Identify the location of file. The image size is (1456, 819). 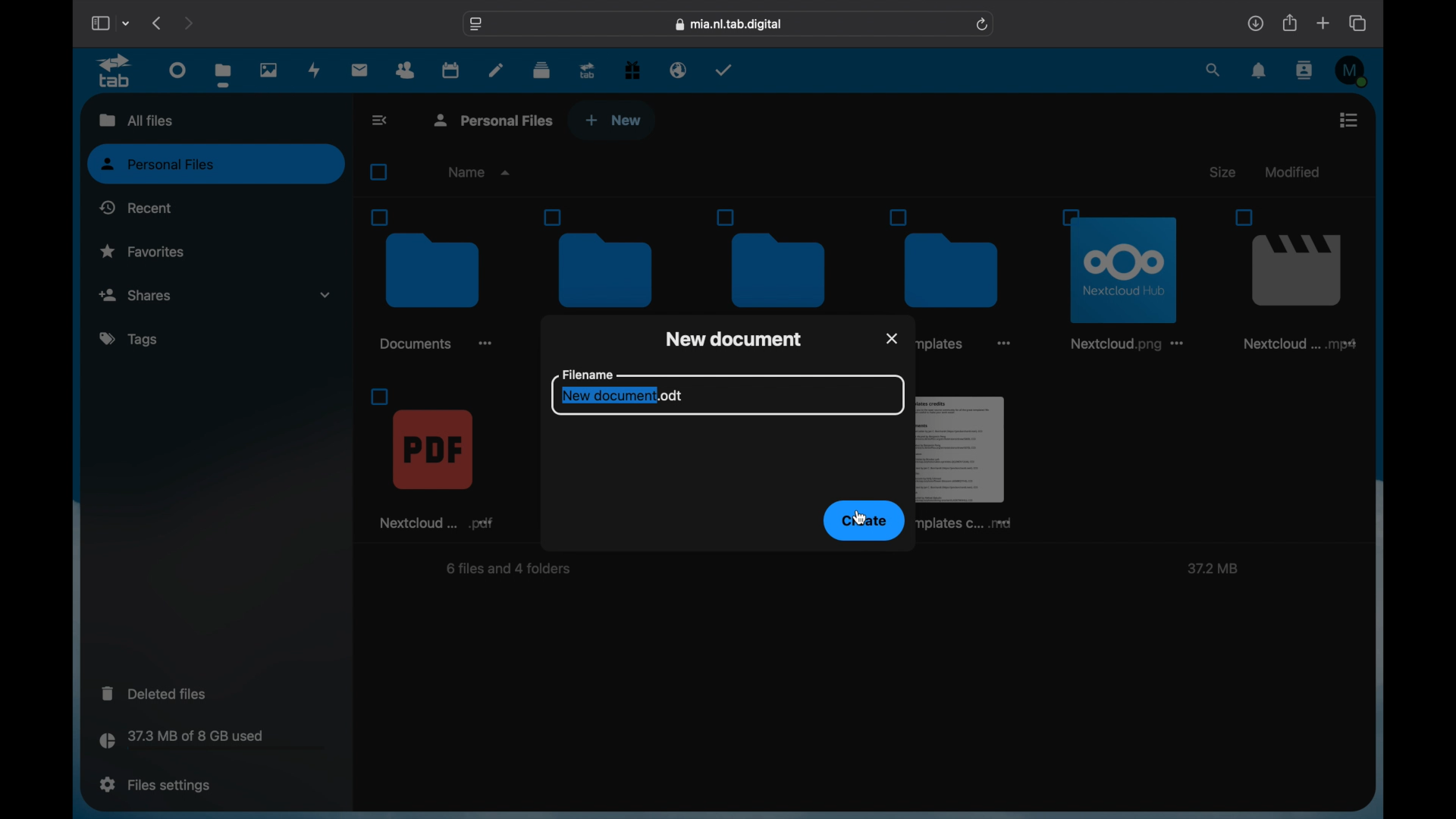
(434, 458).